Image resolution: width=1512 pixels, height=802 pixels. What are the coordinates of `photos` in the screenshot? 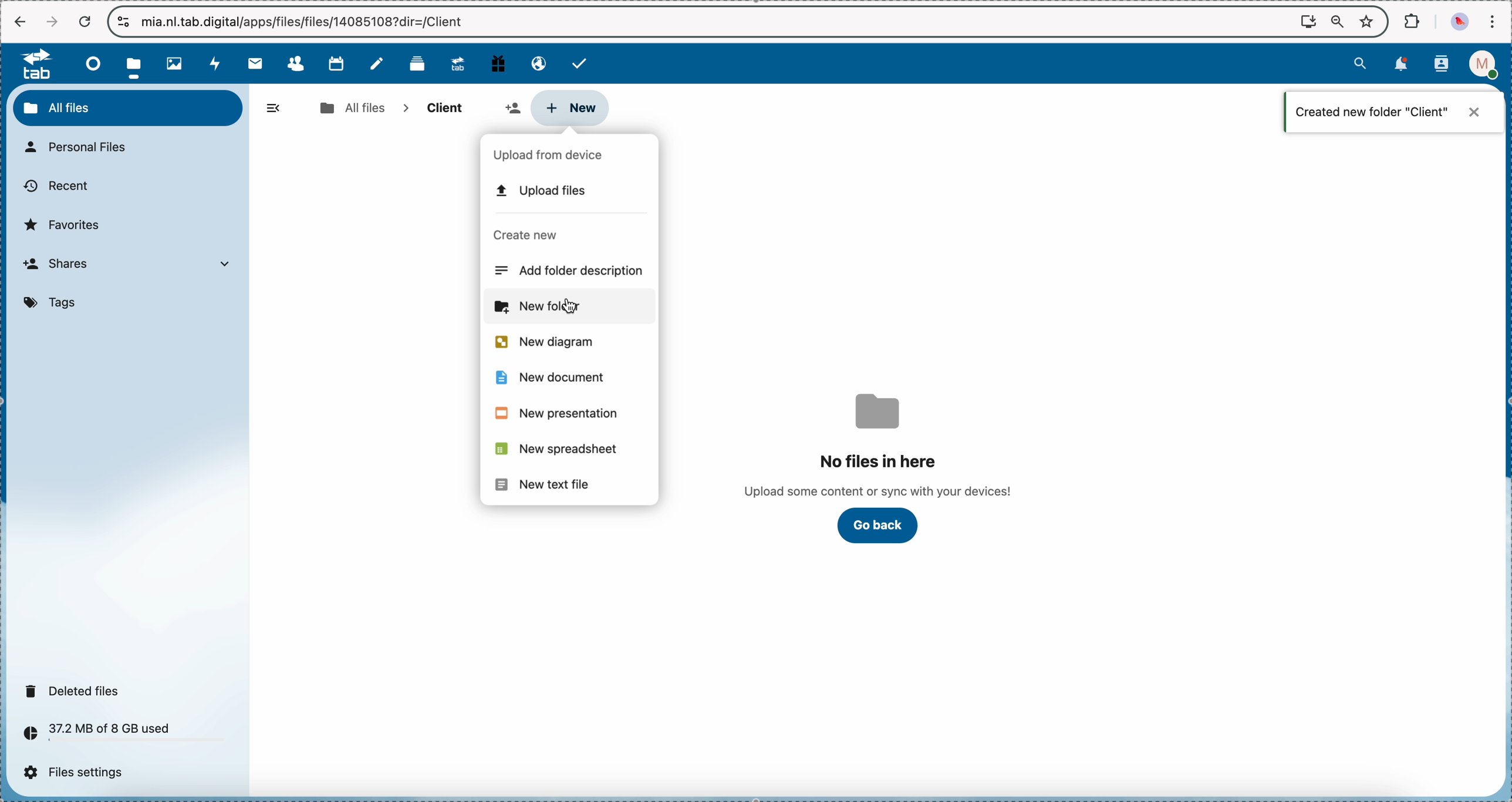 It's located at (178, 64).